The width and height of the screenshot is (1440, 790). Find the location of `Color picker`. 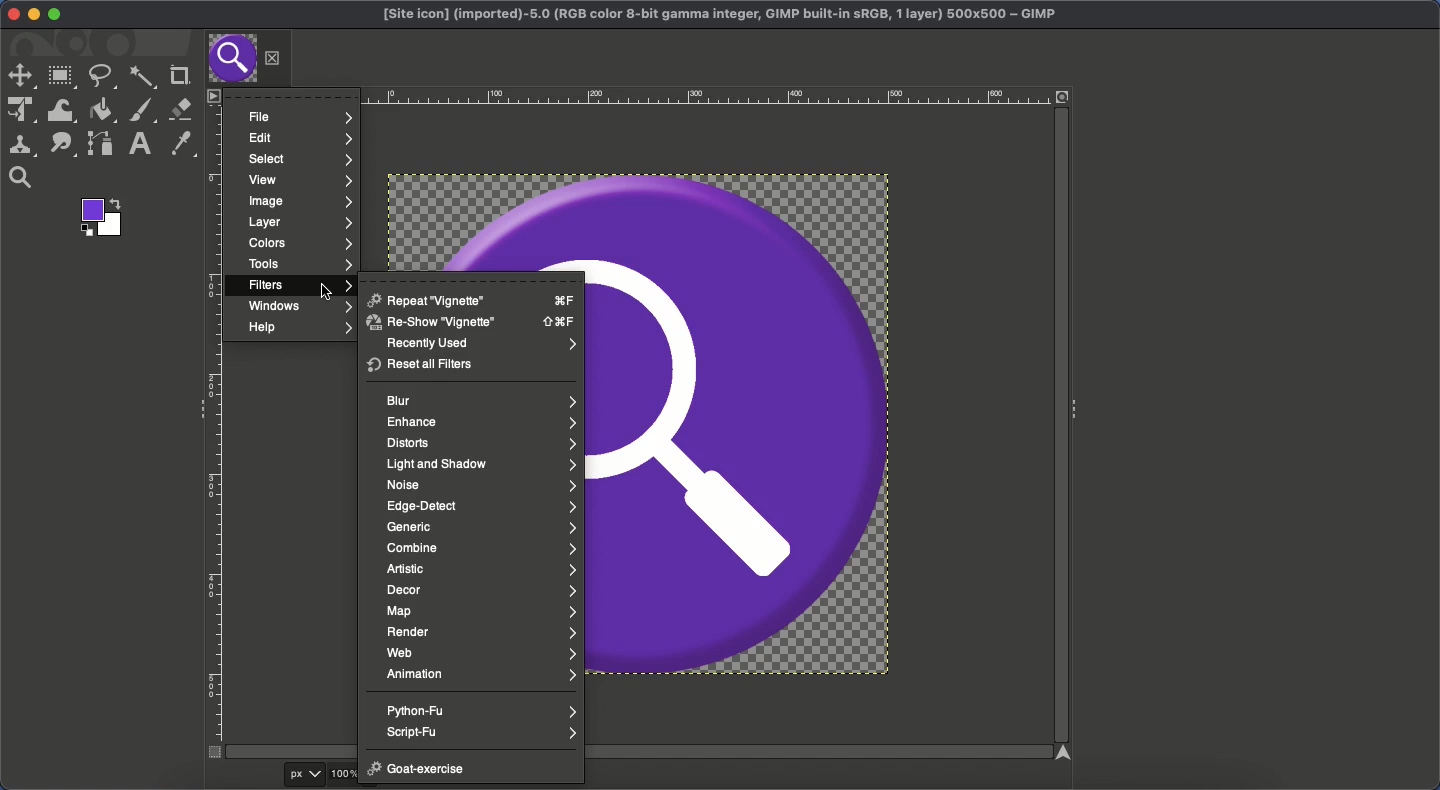

Color picker is located at coordinates (179, 144).